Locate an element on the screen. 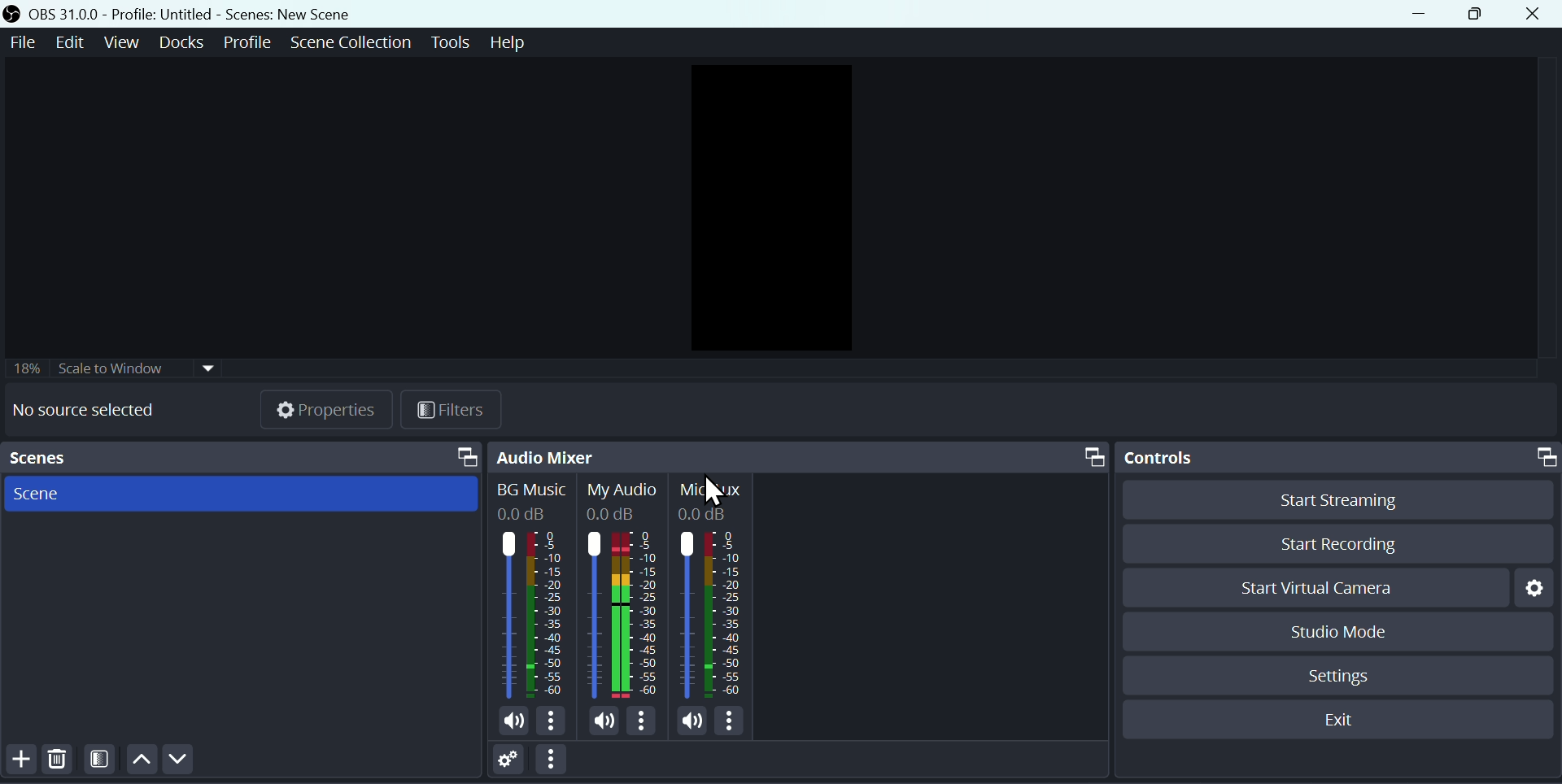 The height and width of the screenshot is (784, 1562). Studio mode is located at coordinates (1342, 630).